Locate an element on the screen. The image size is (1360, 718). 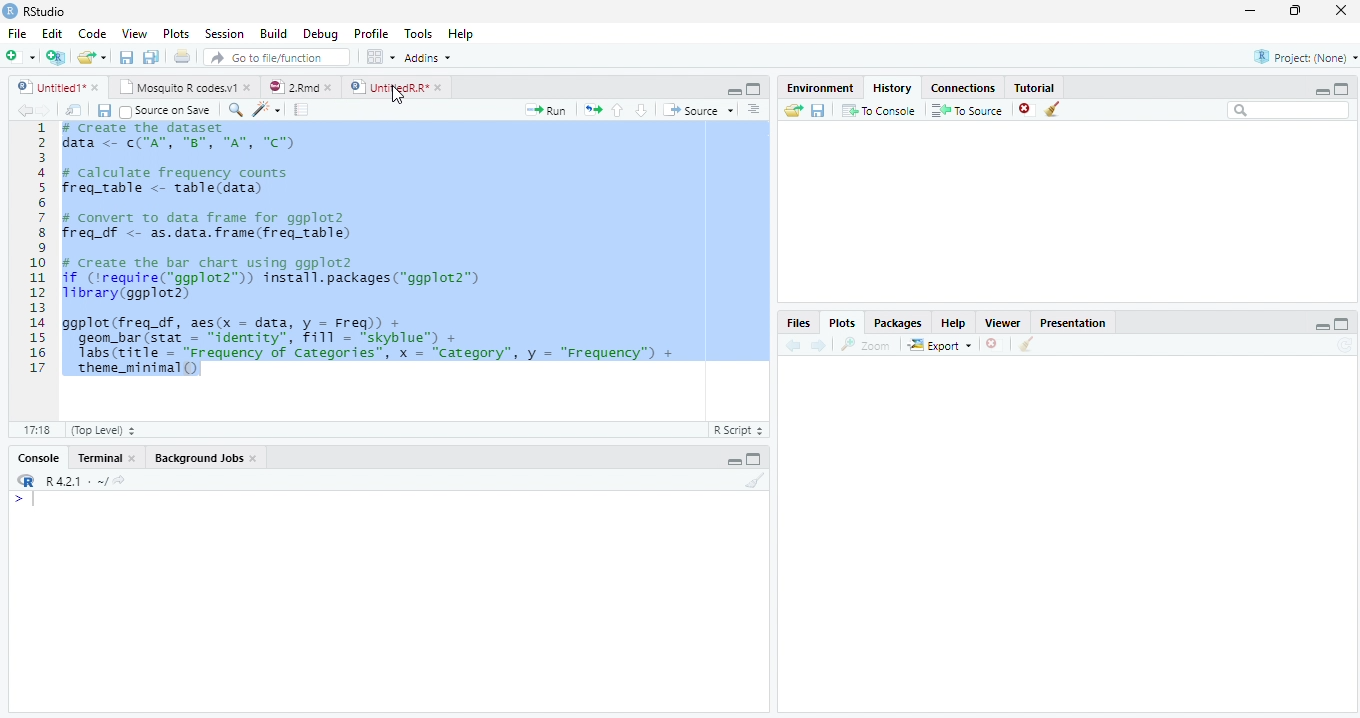
New file is located at coordinates (20, 56).